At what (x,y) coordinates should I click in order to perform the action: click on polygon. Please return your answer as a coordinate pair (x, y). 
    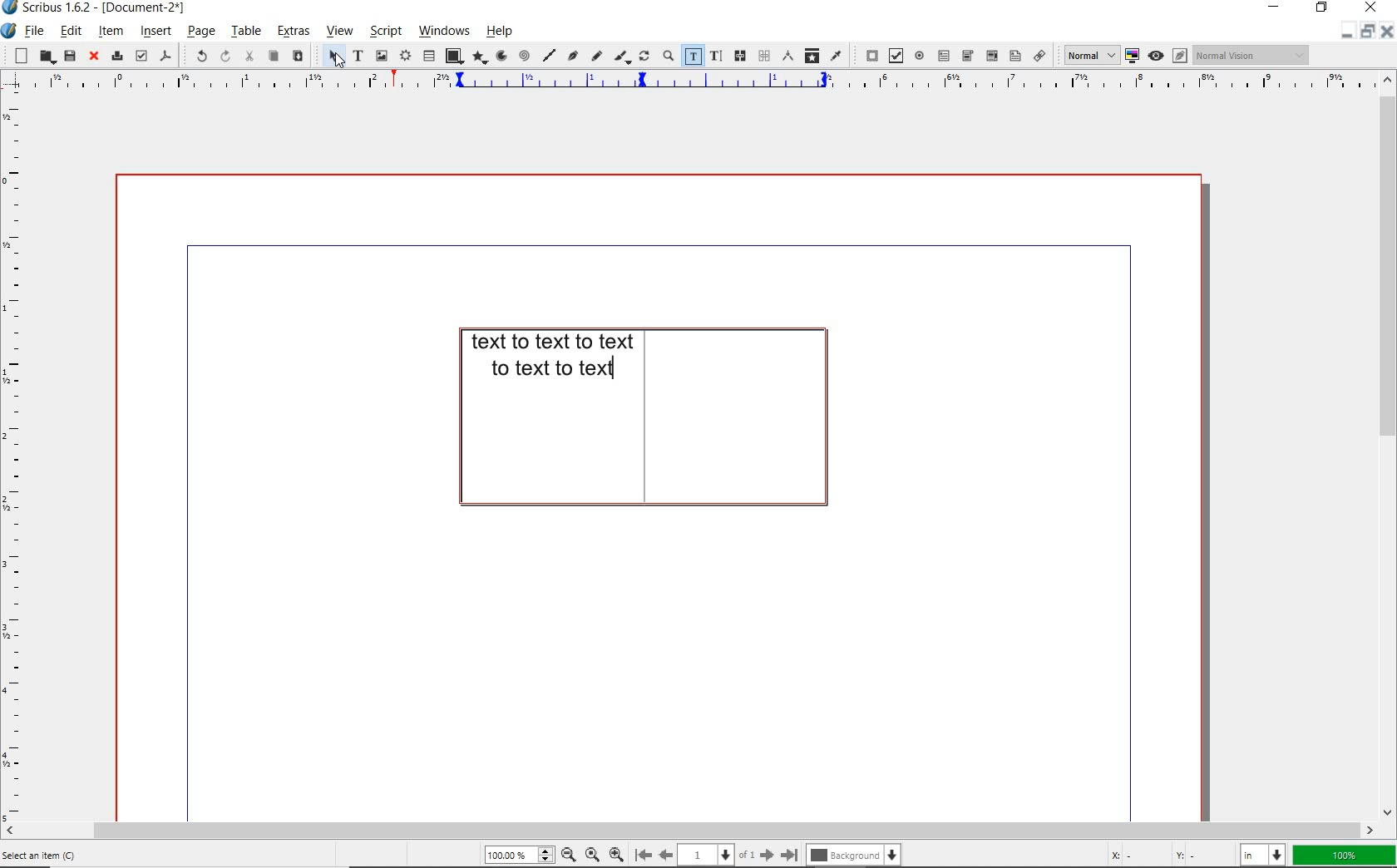
    Looking at the image, I should click on (477, 57).